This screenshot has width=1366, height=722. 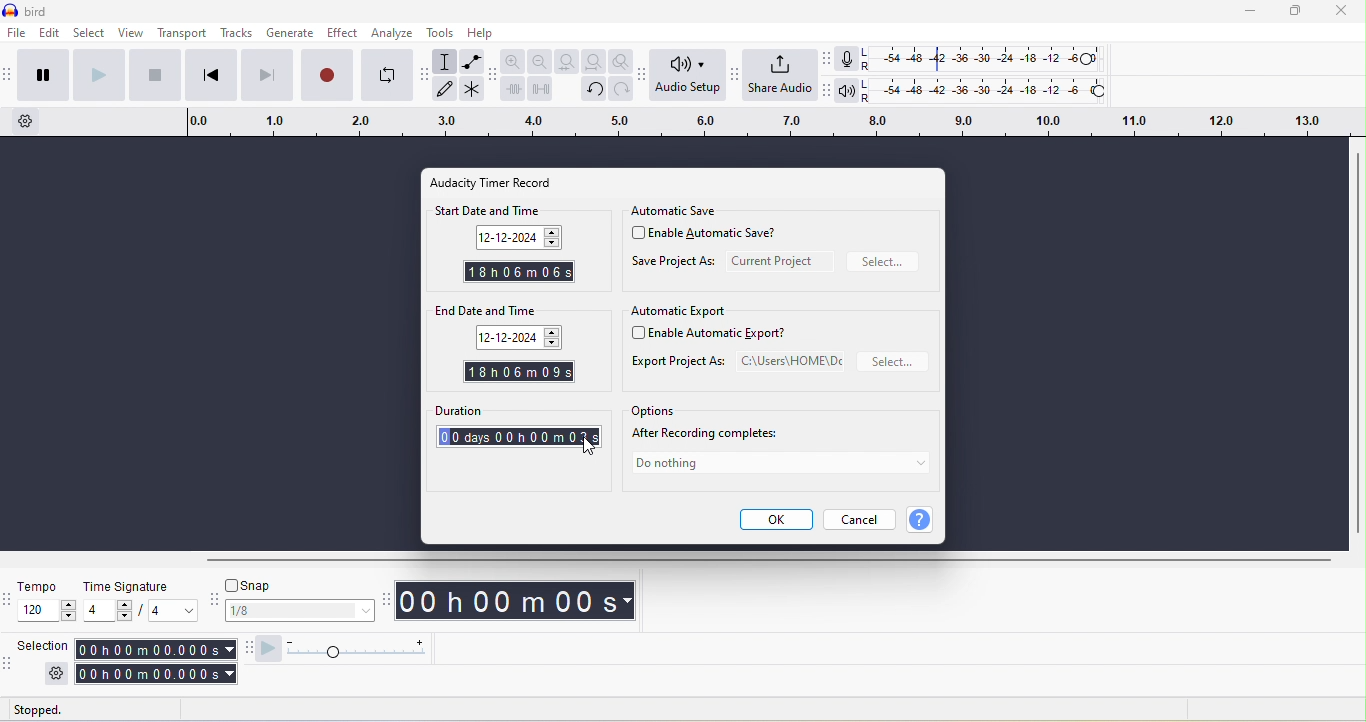 I want to click on do nothing, so click(x=779, y=466).